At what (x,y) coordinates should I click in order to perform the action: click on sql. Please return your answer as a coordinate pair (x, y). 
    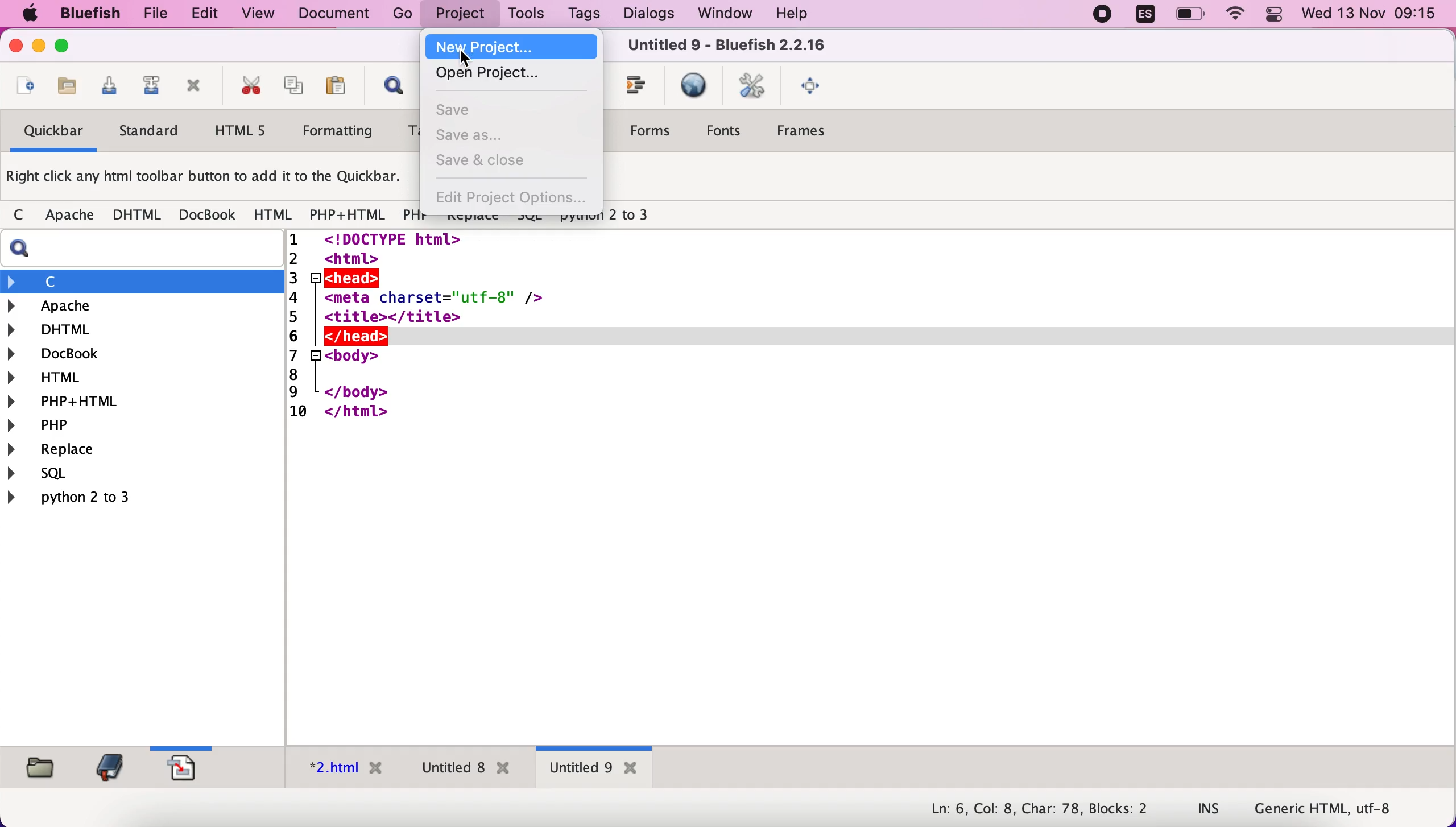
    Looking at the image, I should click on (45, 475).